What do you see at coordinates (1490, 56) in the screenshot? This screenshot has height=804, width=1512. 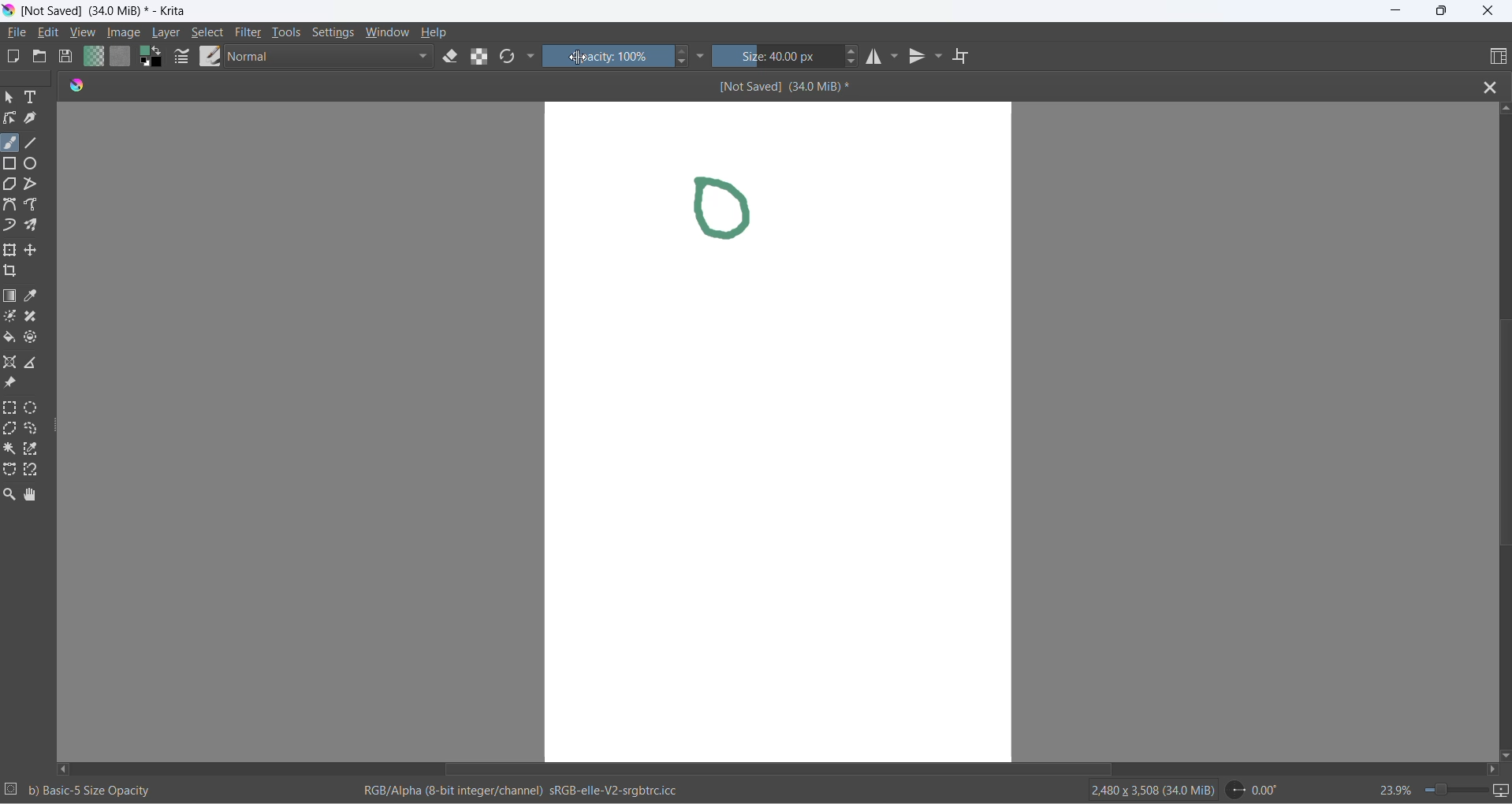 I see `choose workspace` at bounding box center [1490, 56].